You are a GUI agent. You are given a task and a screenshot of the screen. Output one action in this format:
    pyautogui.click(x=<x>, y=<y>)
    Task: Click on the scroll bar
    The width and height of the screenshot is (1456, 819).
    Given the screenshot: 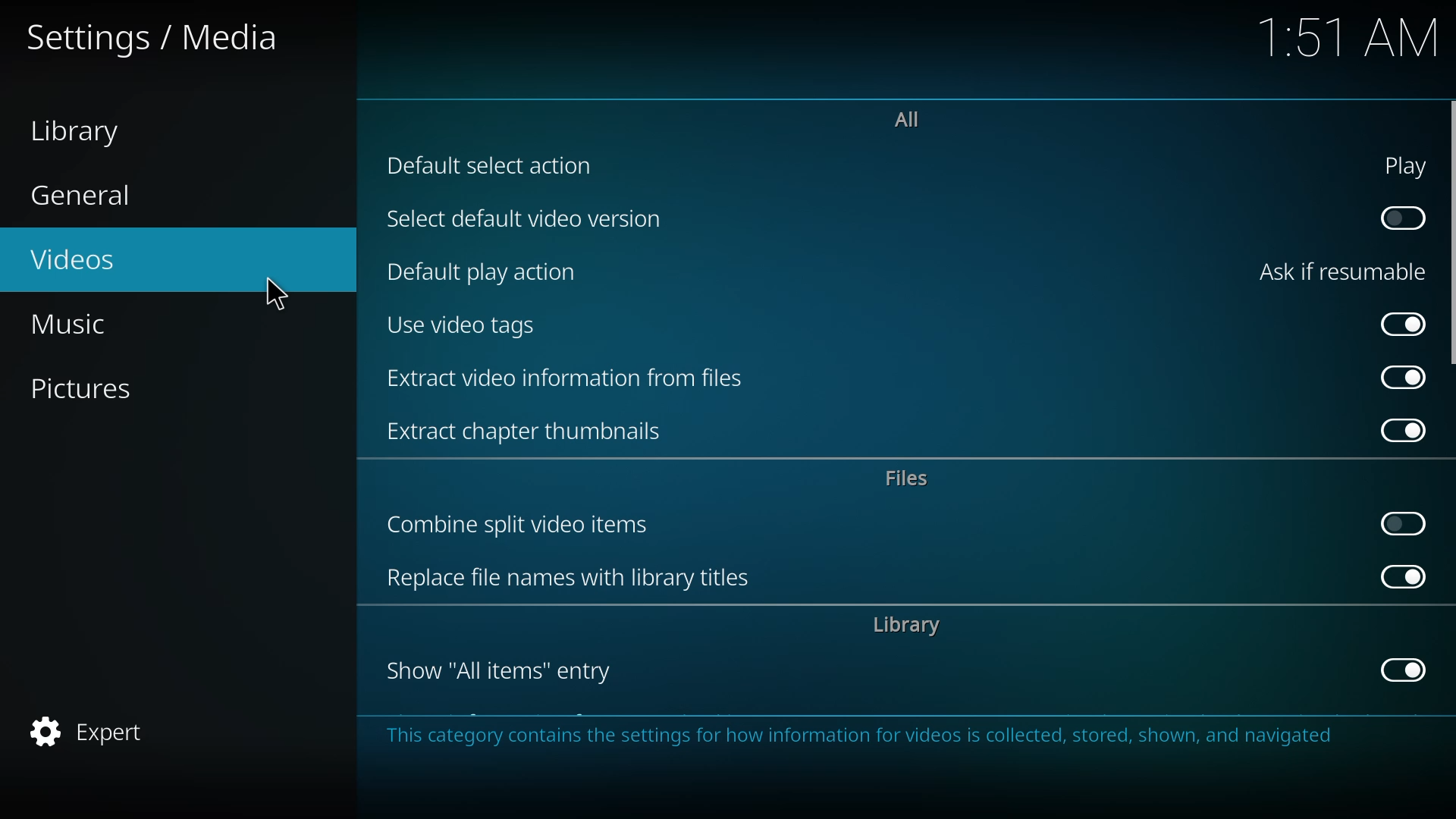 What is the action you would take?
    pyautogui.click(x=1453, y=229)
    